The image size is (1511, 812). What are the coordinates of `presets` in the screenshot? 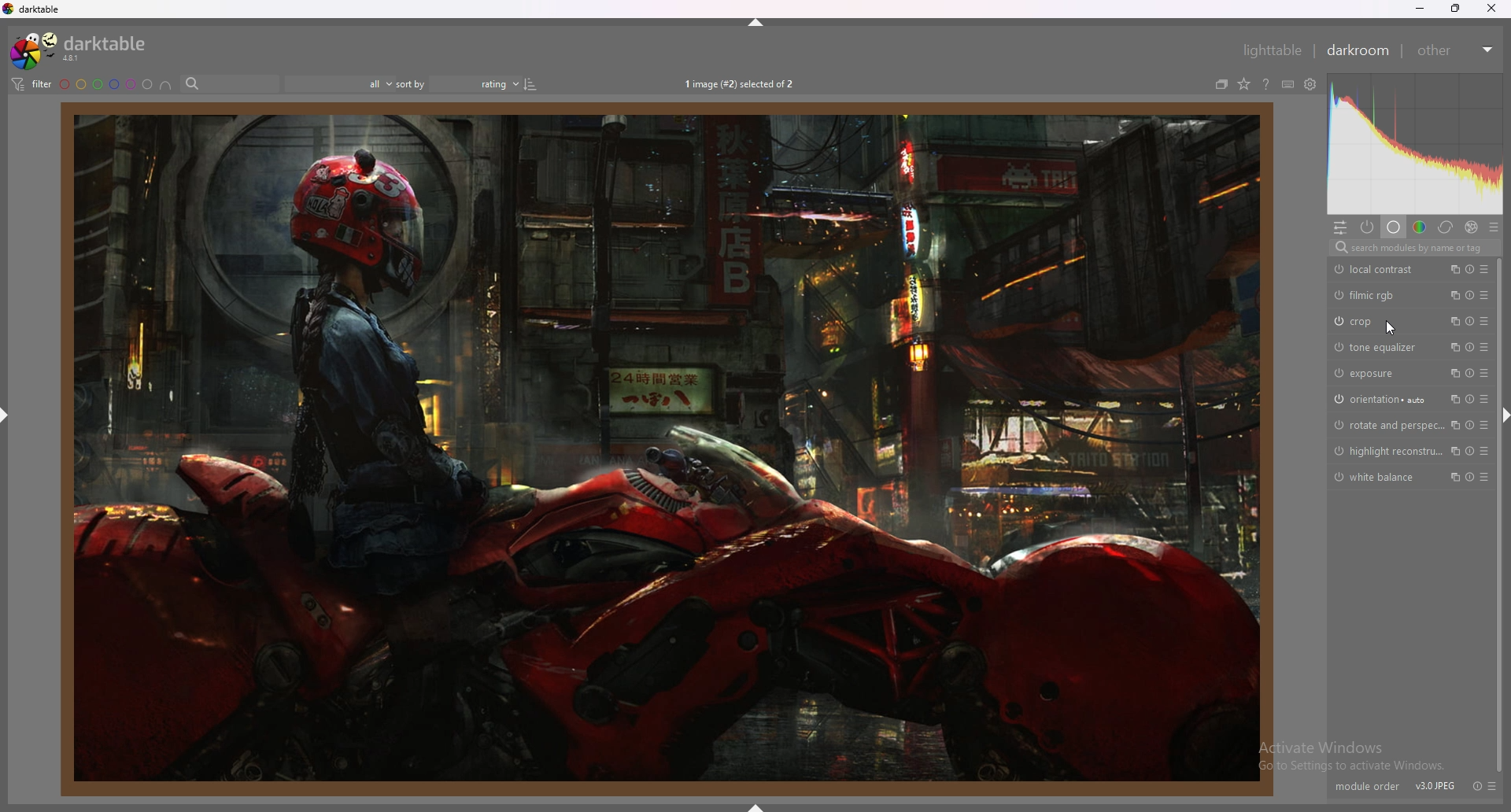 It's located at (1484, 320).